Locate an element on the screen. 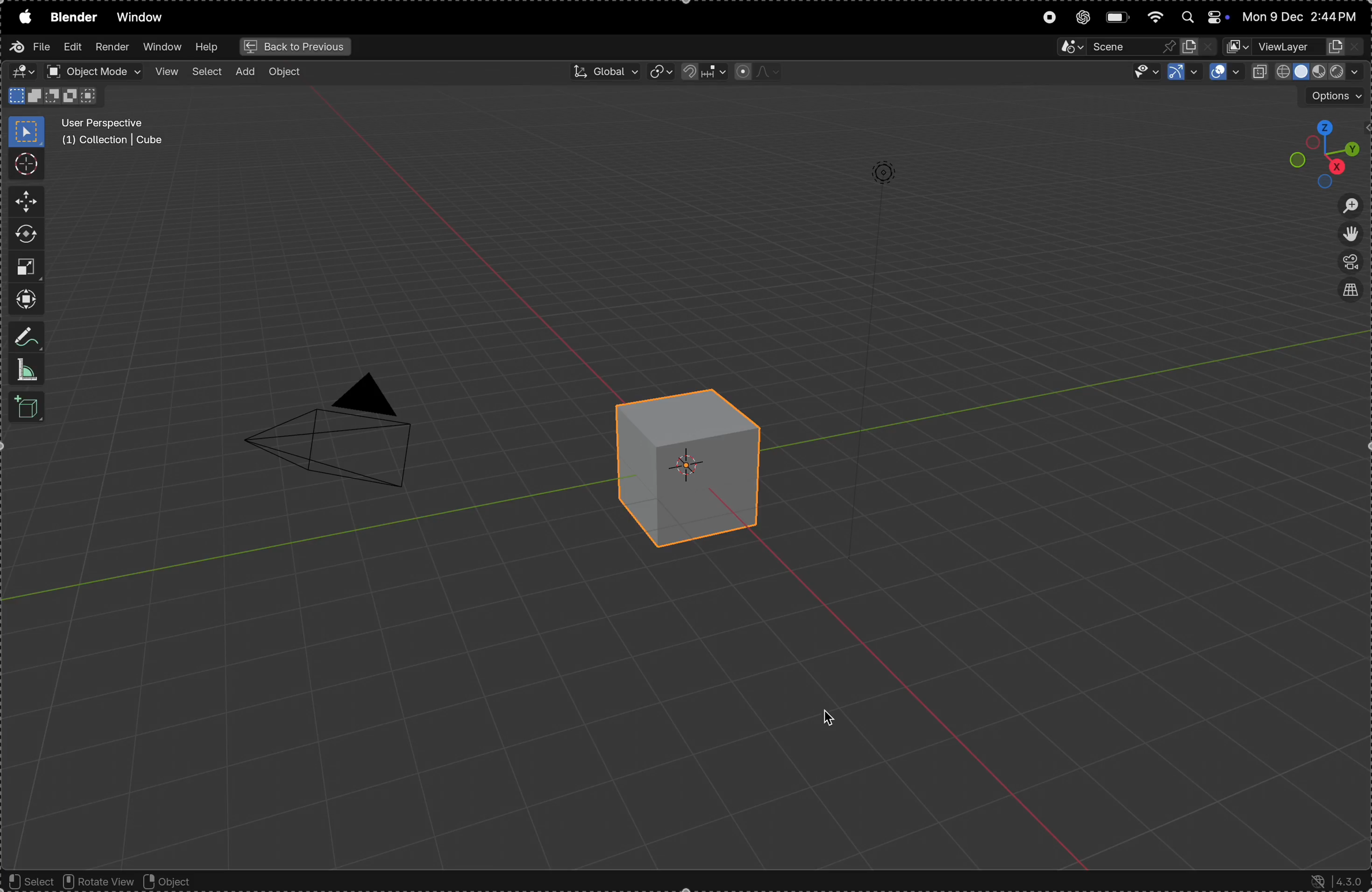  view port shading is located at coordinates (1307, 71).